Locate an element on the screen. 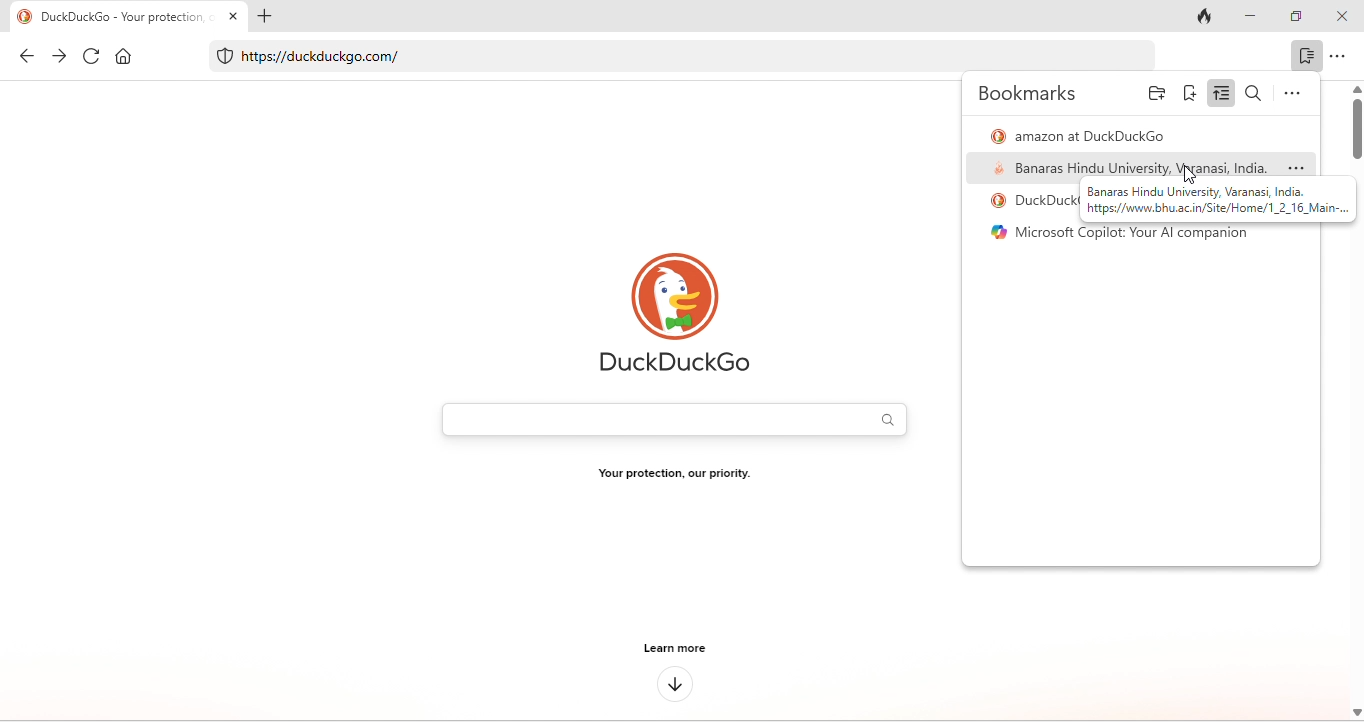 This screenshot has width=1364, height=722. maximize is located at coordinates (1297, 17).